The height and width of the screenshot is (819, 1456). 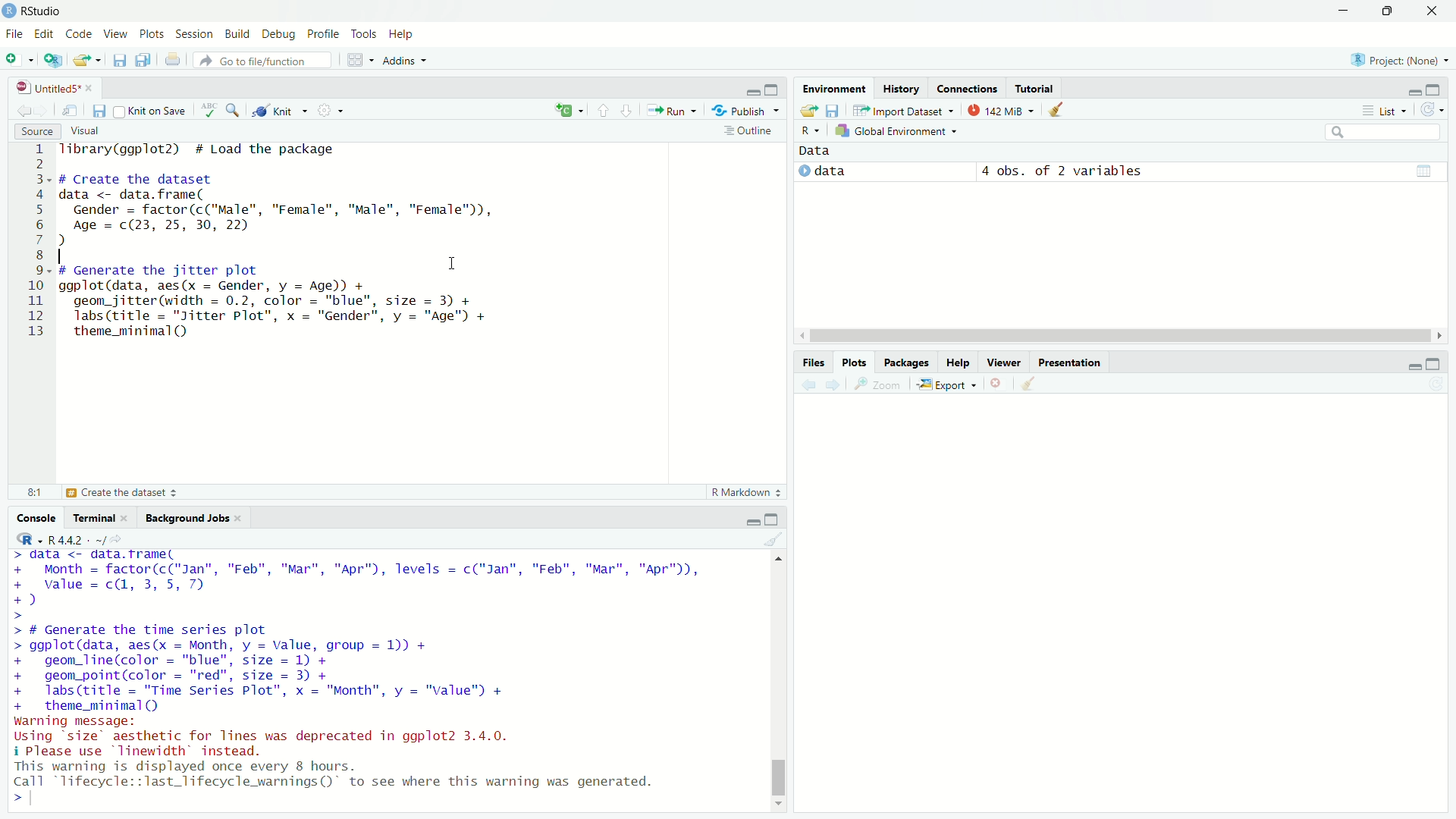 I want to click on addins, so click(x=405, y=60).